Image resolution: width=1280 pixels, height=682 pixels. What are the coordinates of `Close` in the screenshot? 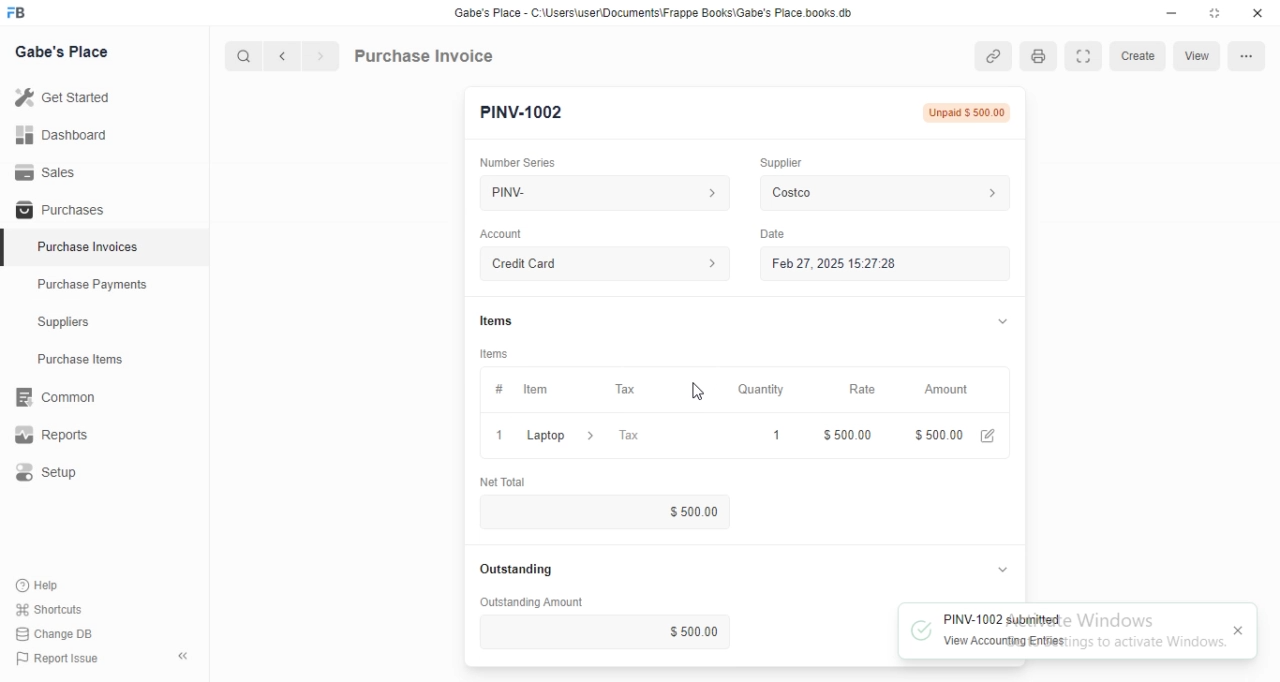 It's located at (1258, 13).